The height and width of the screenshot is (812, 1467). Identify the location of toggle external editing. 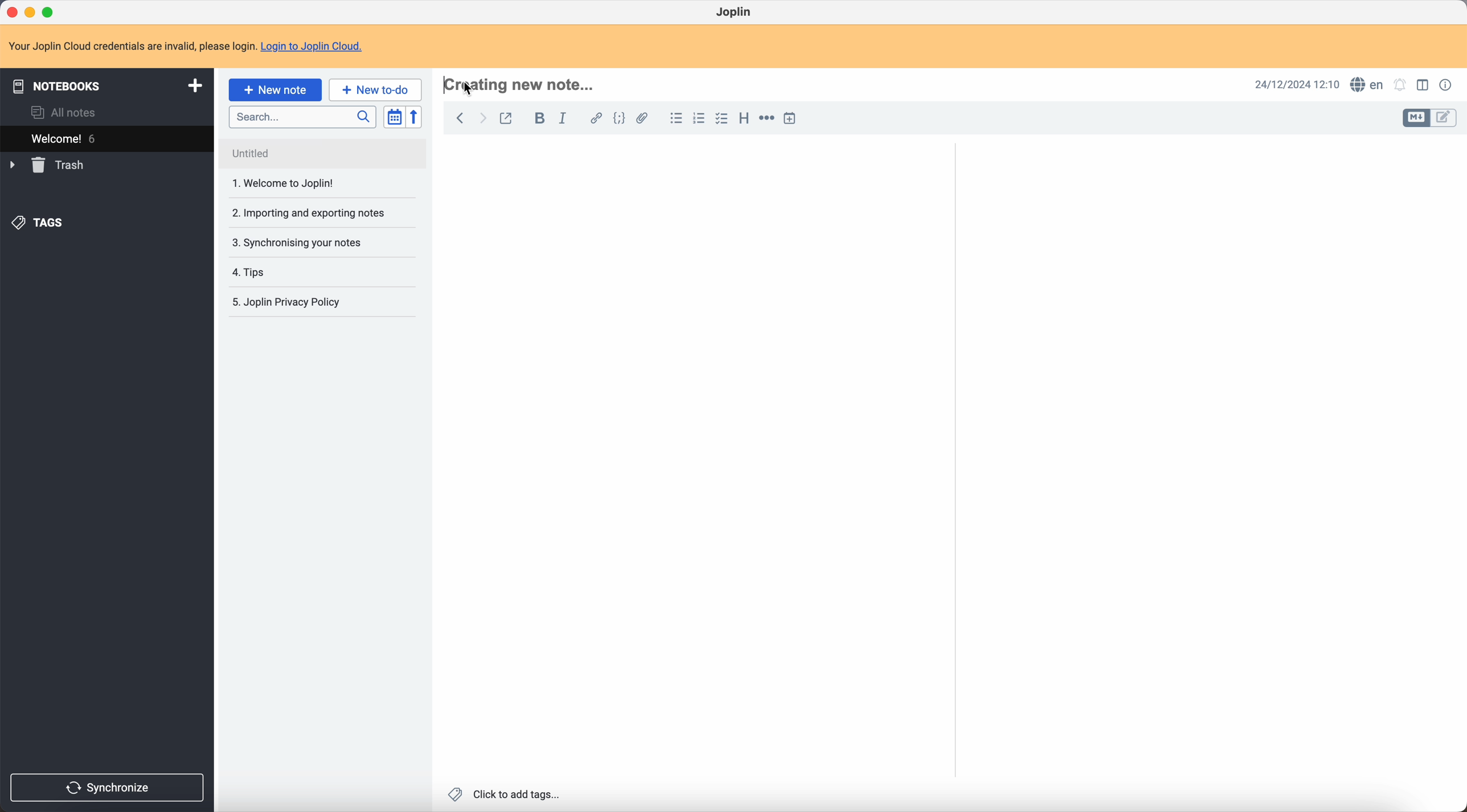
(507, 121).